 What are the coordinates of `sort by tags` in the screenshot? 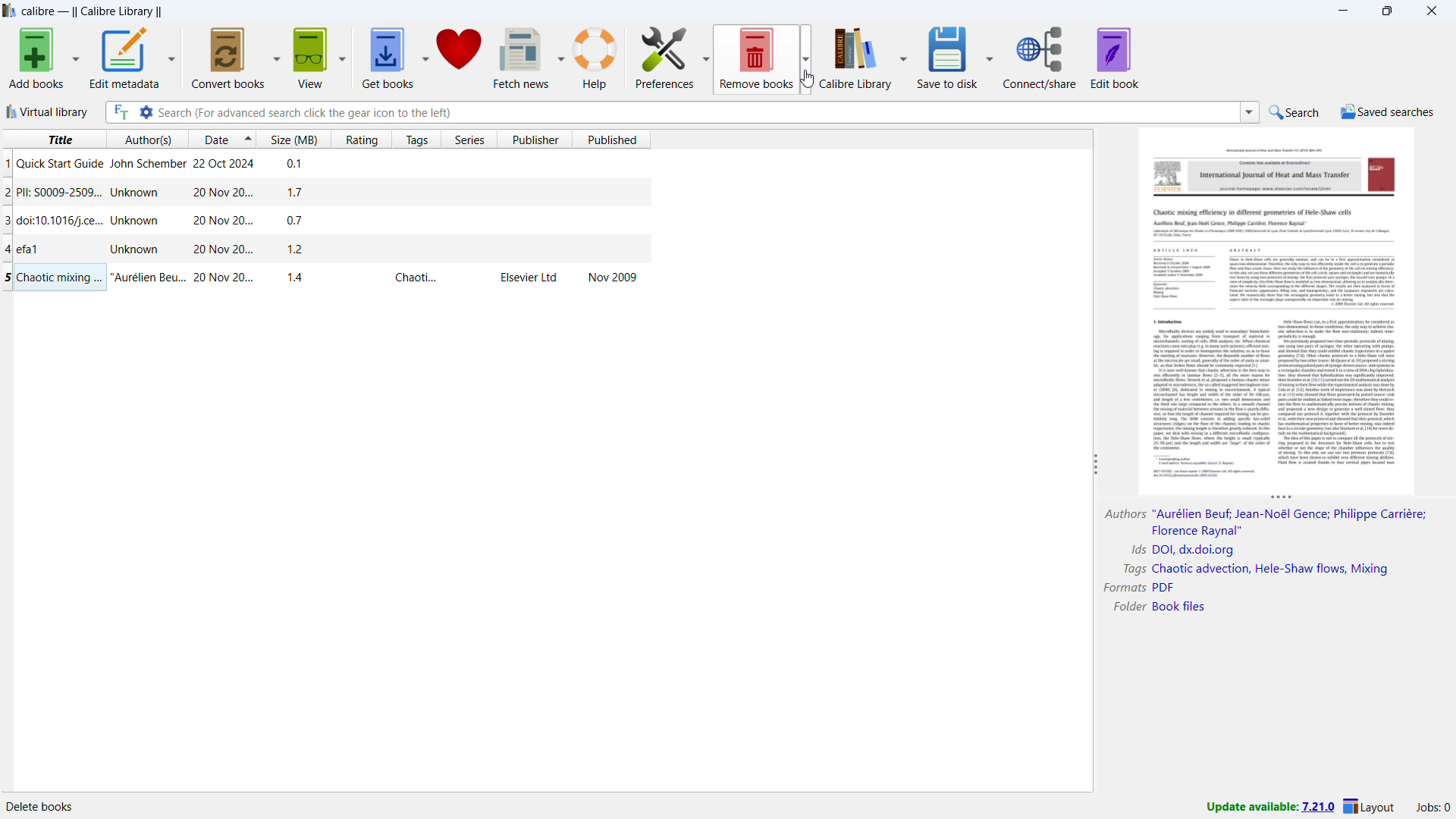 It's located at (418, 139).